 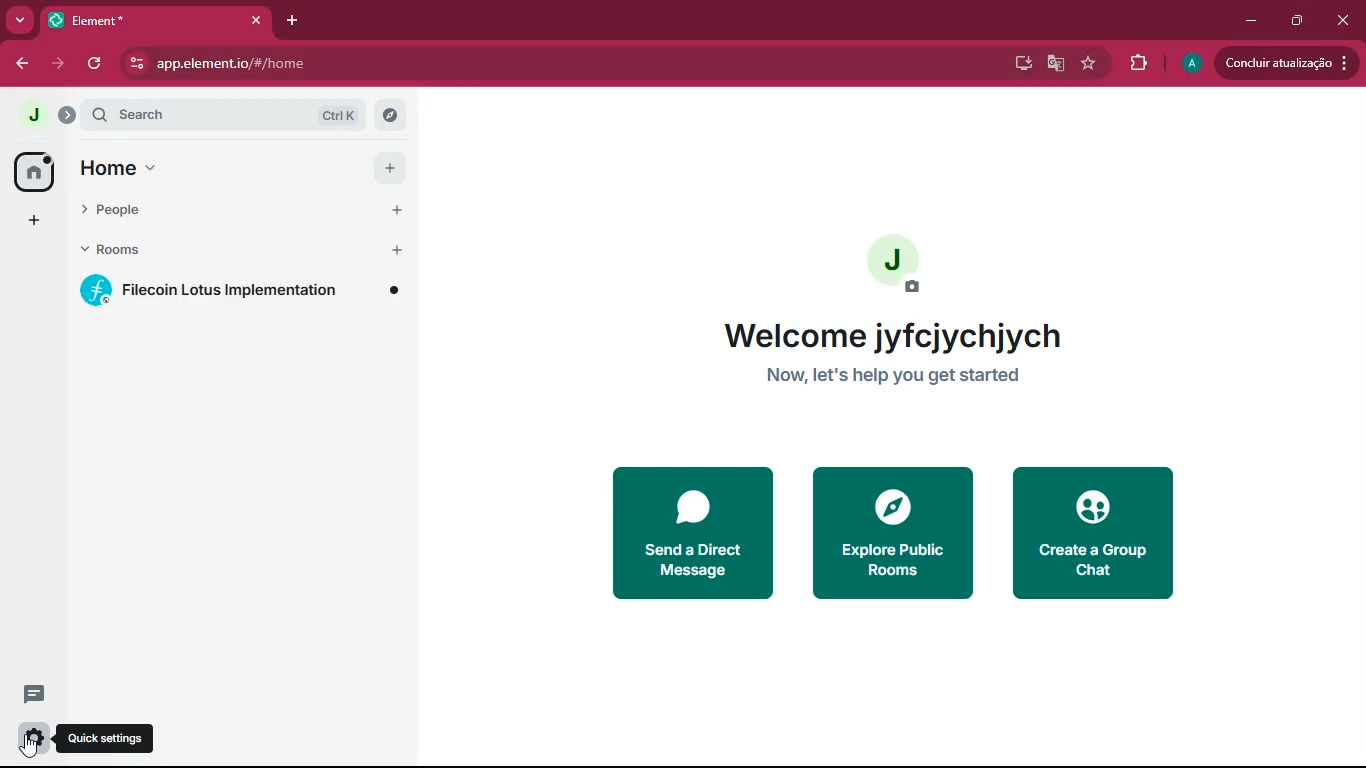 I want to click on close, so click(x=1345, y=24).